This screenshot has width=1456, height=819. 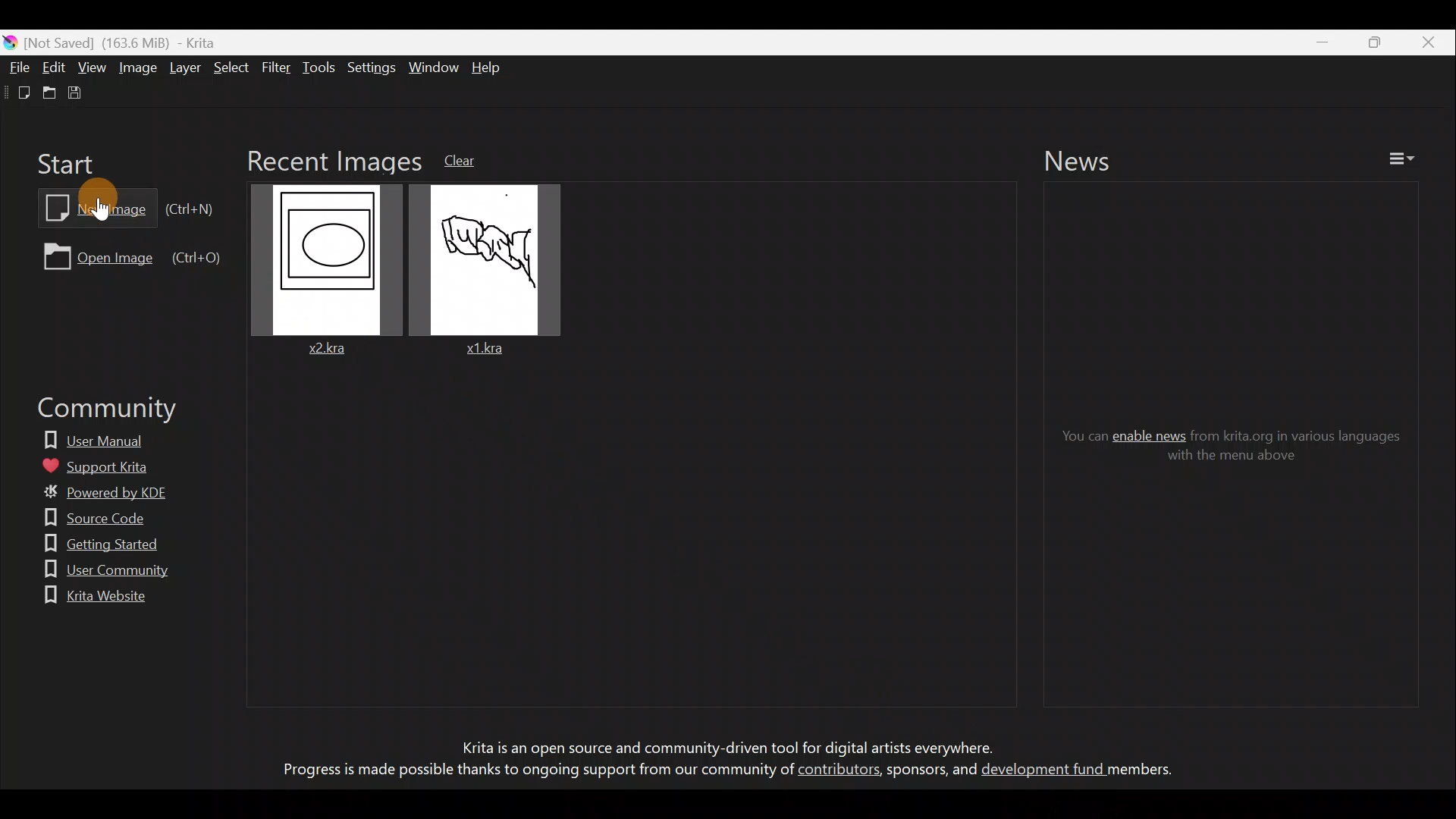 I want to click on Image, so click(x=138, y=70).